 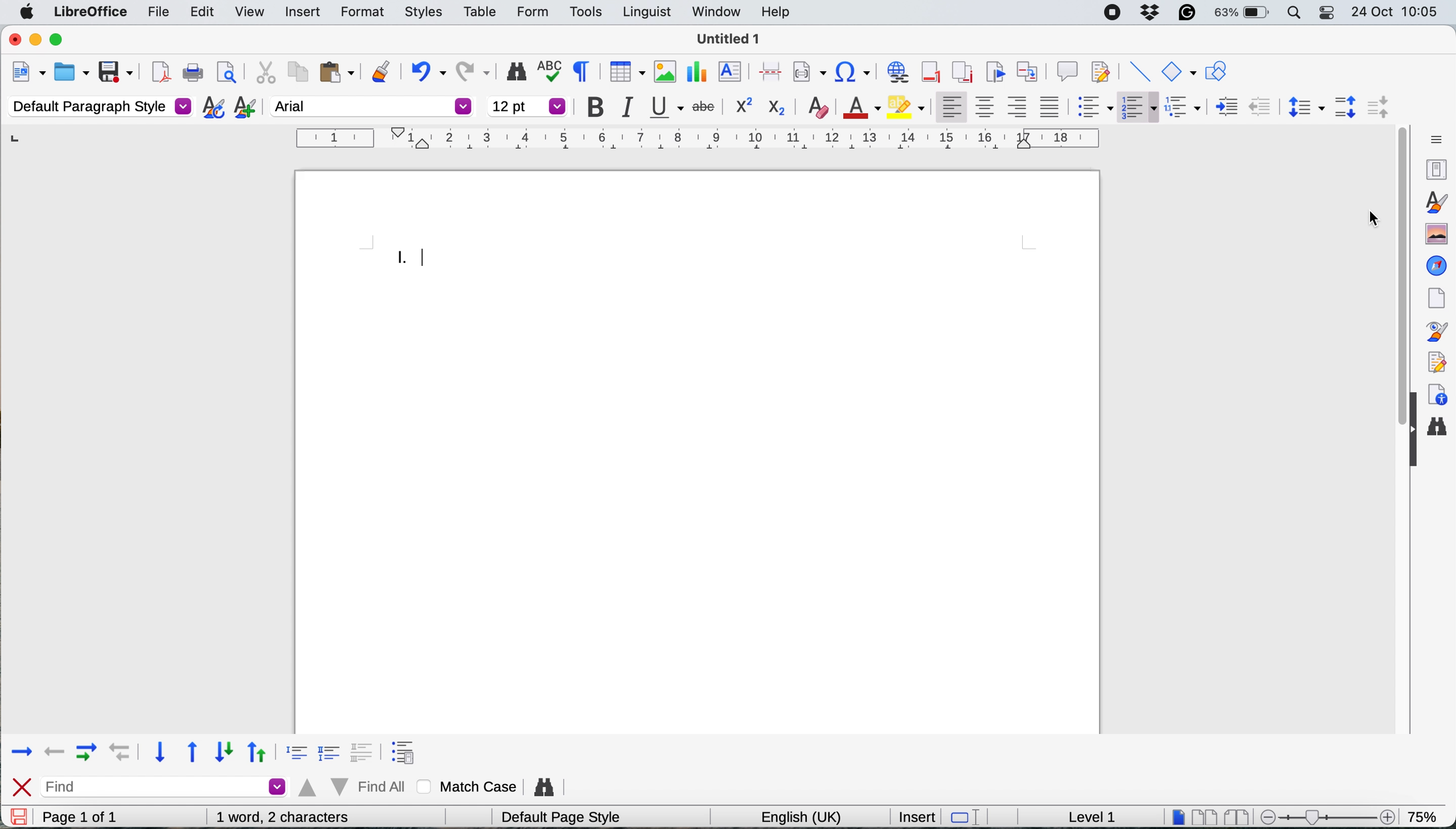 What do you see at coordinates (159, 14) in the screenshot?
I see `file` at bounding box center [159, 14].